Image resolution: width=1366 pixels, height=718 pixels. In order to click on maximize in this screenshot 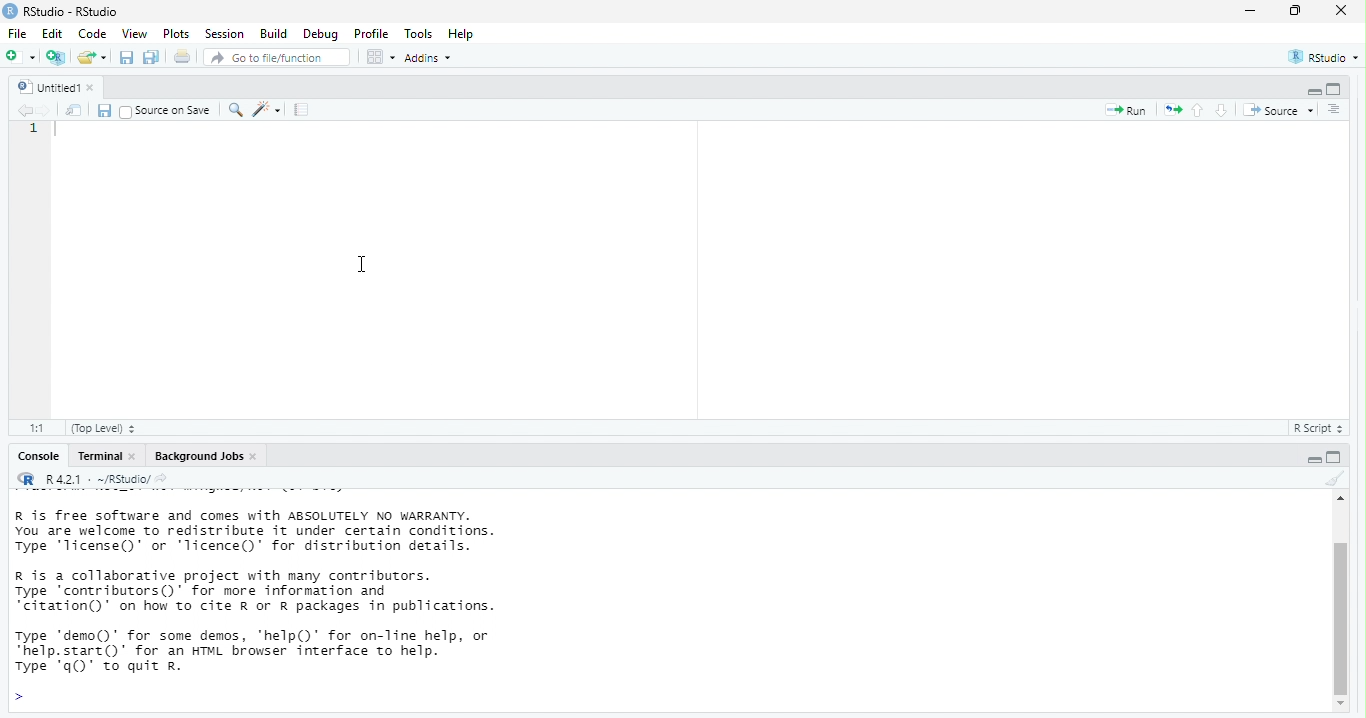, I will do `click(1346, 455)`.